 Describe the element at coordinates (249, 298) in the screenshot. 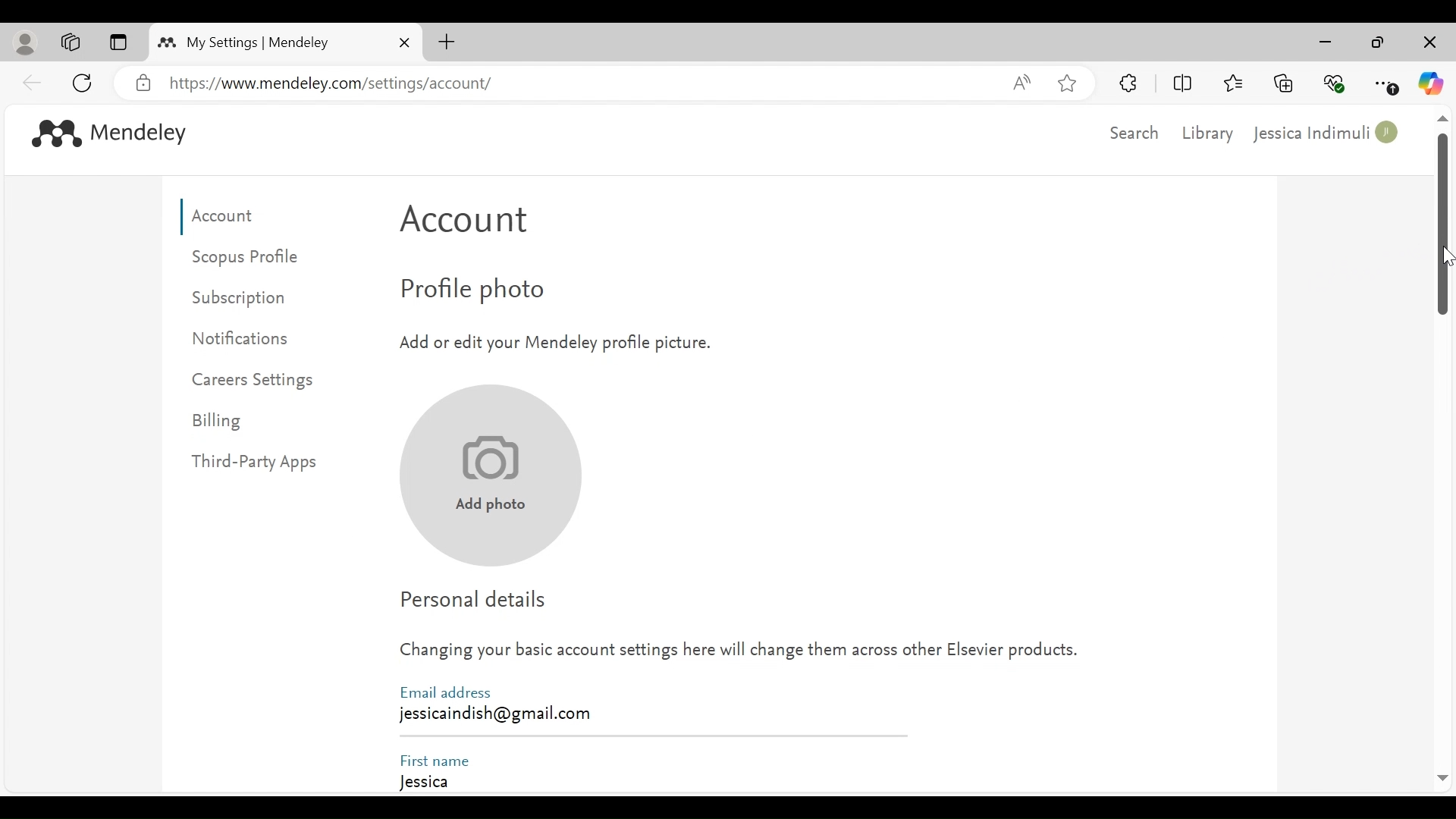

I see `Subscriptions` at that location.